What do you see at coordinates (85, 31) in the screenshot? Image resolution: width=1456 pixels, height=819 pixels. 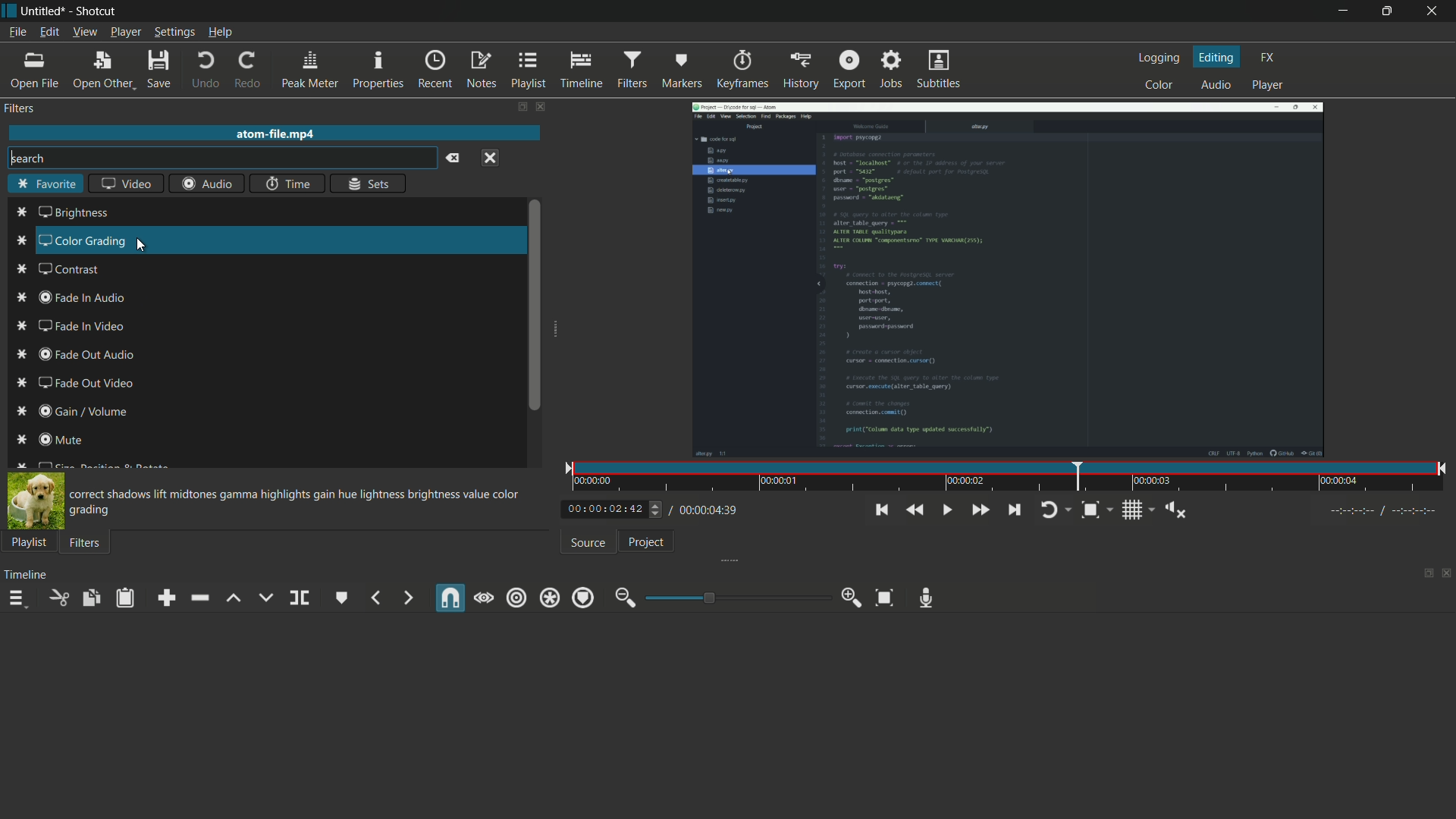 I see `view menu` at bounding box center [85, 31].